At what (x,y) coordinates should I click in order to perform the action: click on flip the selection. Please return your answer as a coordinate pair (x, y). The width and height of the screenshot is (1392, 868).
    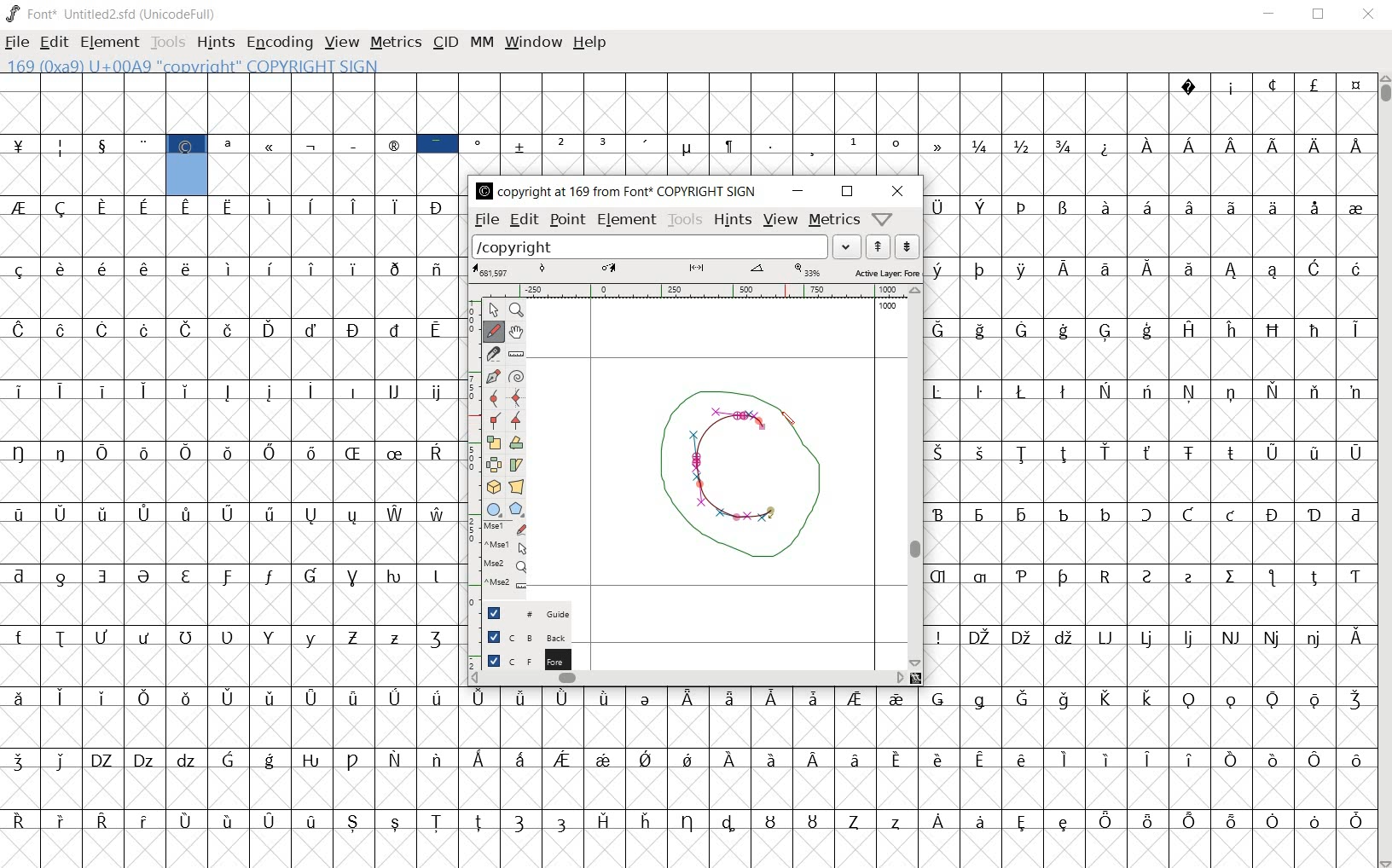
    Looking at the image, I should click on (495, 465).